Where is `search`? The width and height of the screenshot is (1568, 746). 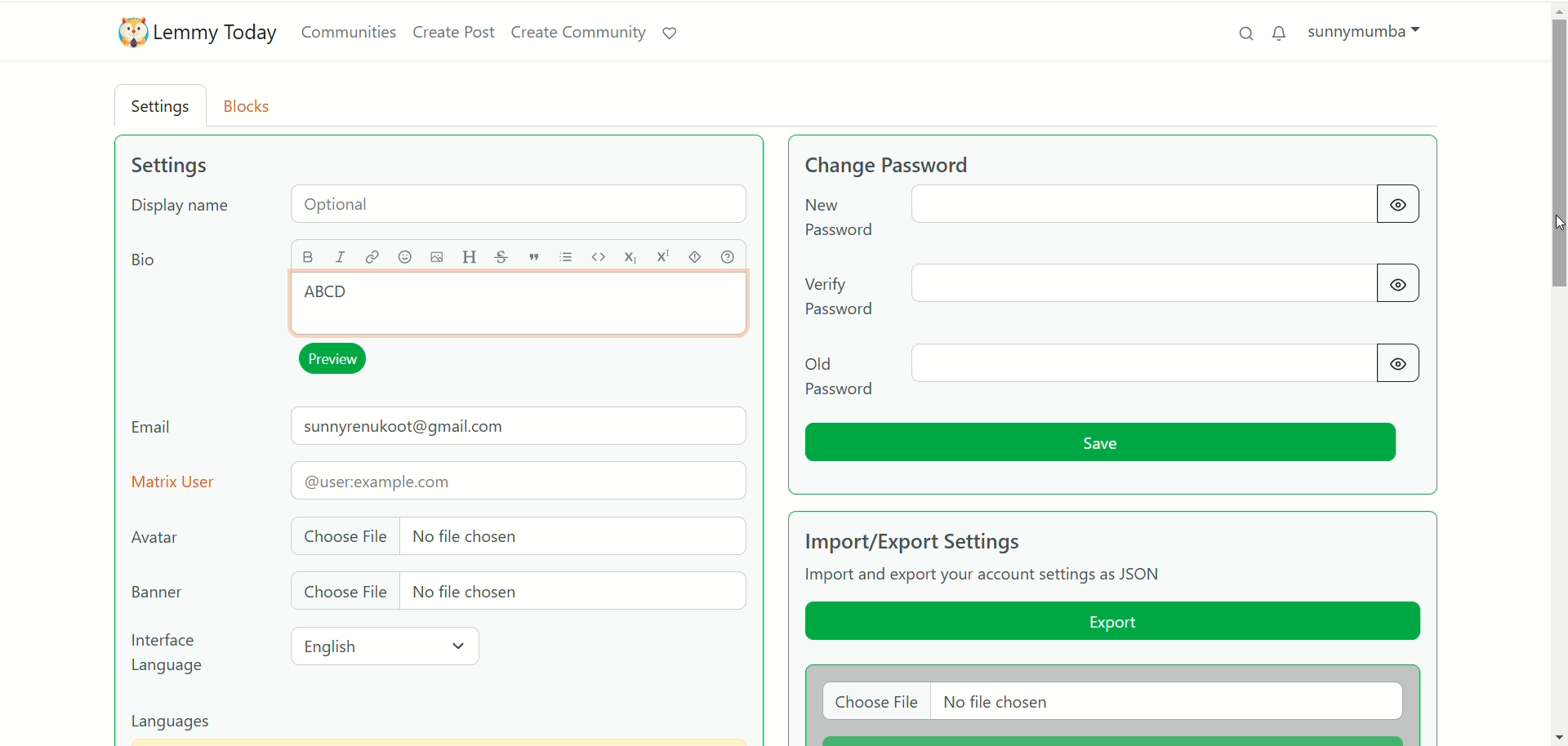 search is located at coordinates (1241, 32).